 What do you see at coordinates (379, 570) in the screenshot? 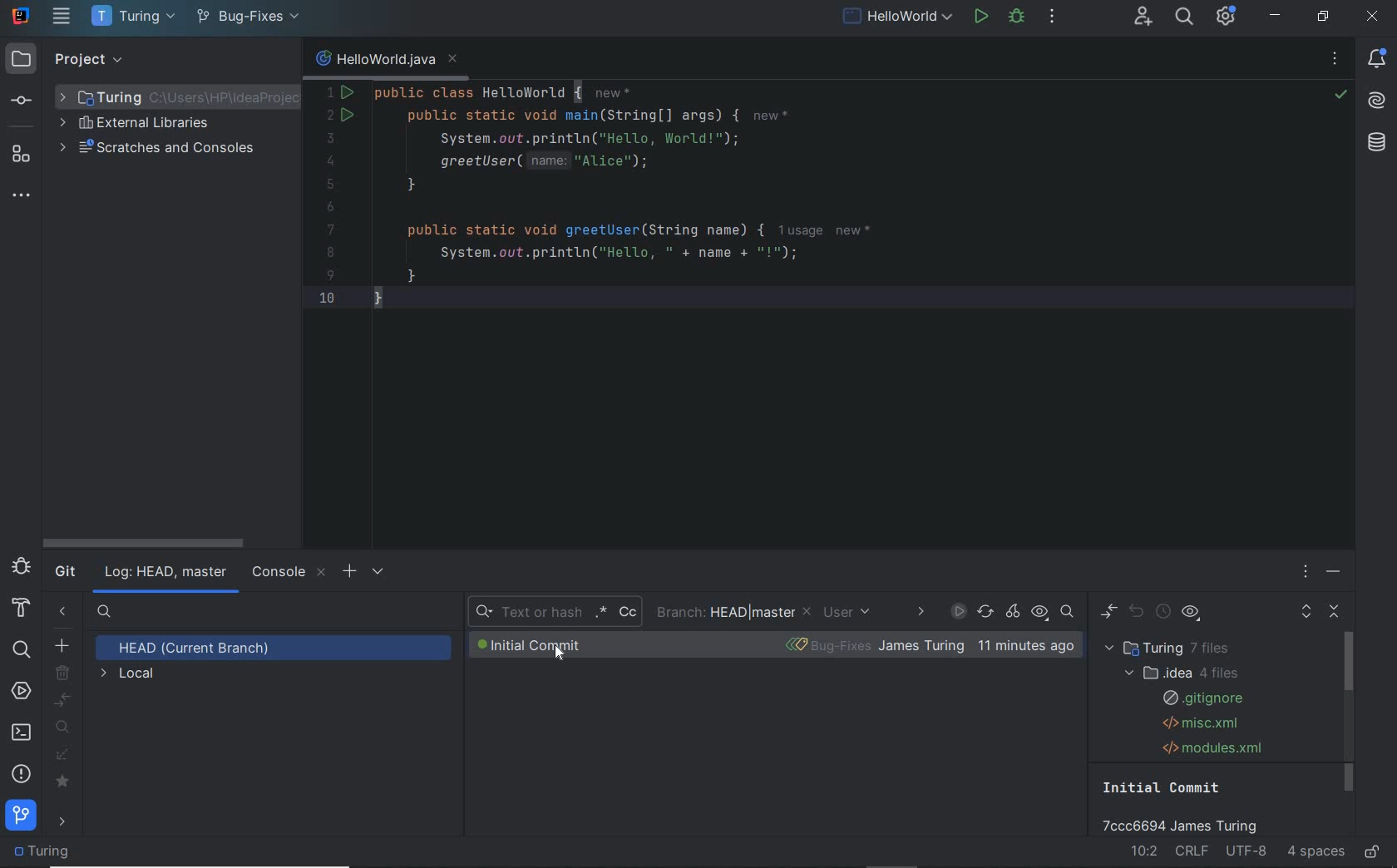
I see `SETTINGS` at bounding box center [379, 570].